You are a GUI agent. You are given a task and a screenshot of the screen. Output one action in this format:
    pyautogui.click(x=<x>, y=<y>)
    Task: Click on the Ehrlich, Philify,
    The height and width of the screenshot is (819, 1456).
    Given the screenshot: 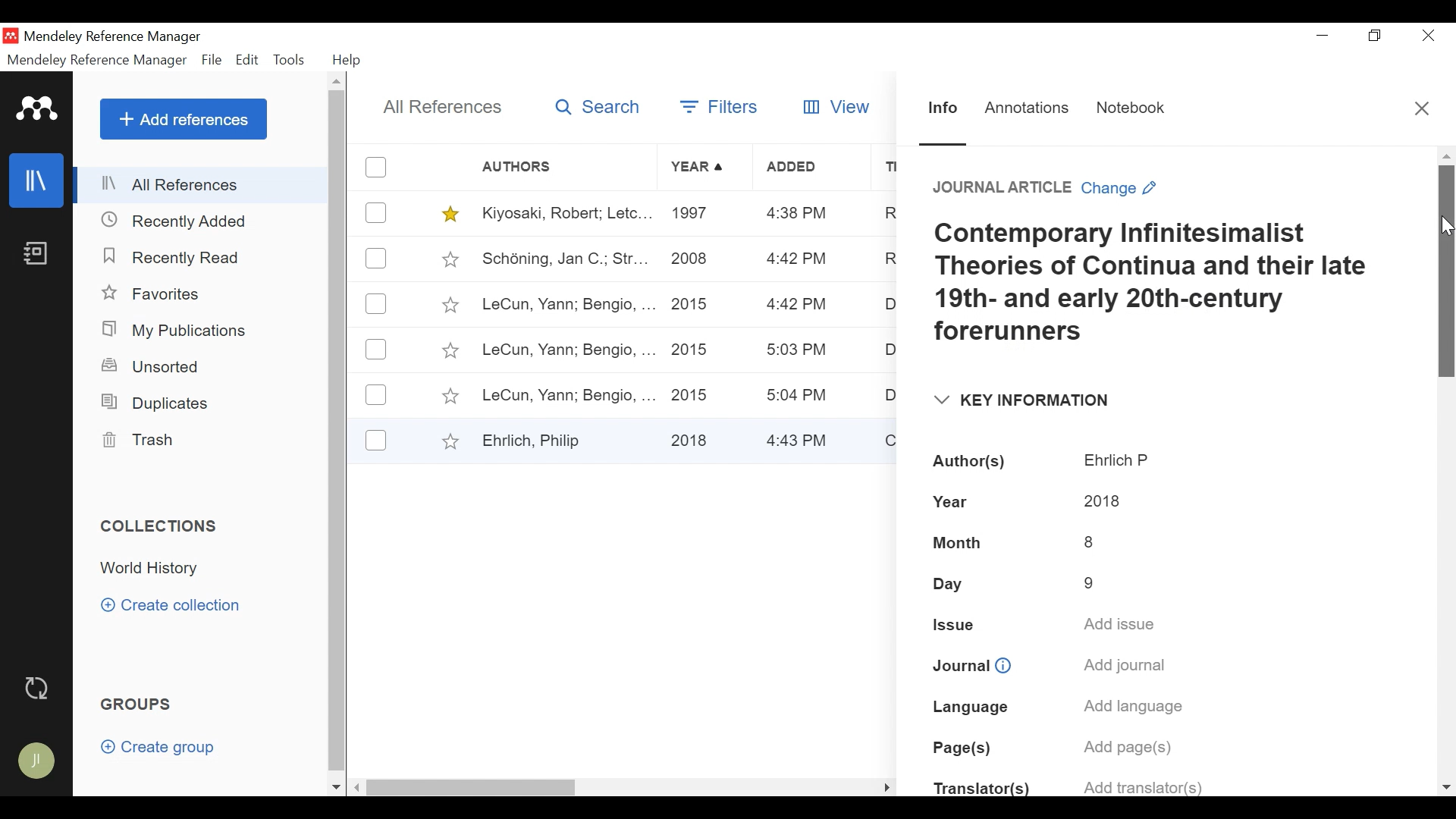 What is the action you would take?
    pyautogui.click(x=566, y=440)
    